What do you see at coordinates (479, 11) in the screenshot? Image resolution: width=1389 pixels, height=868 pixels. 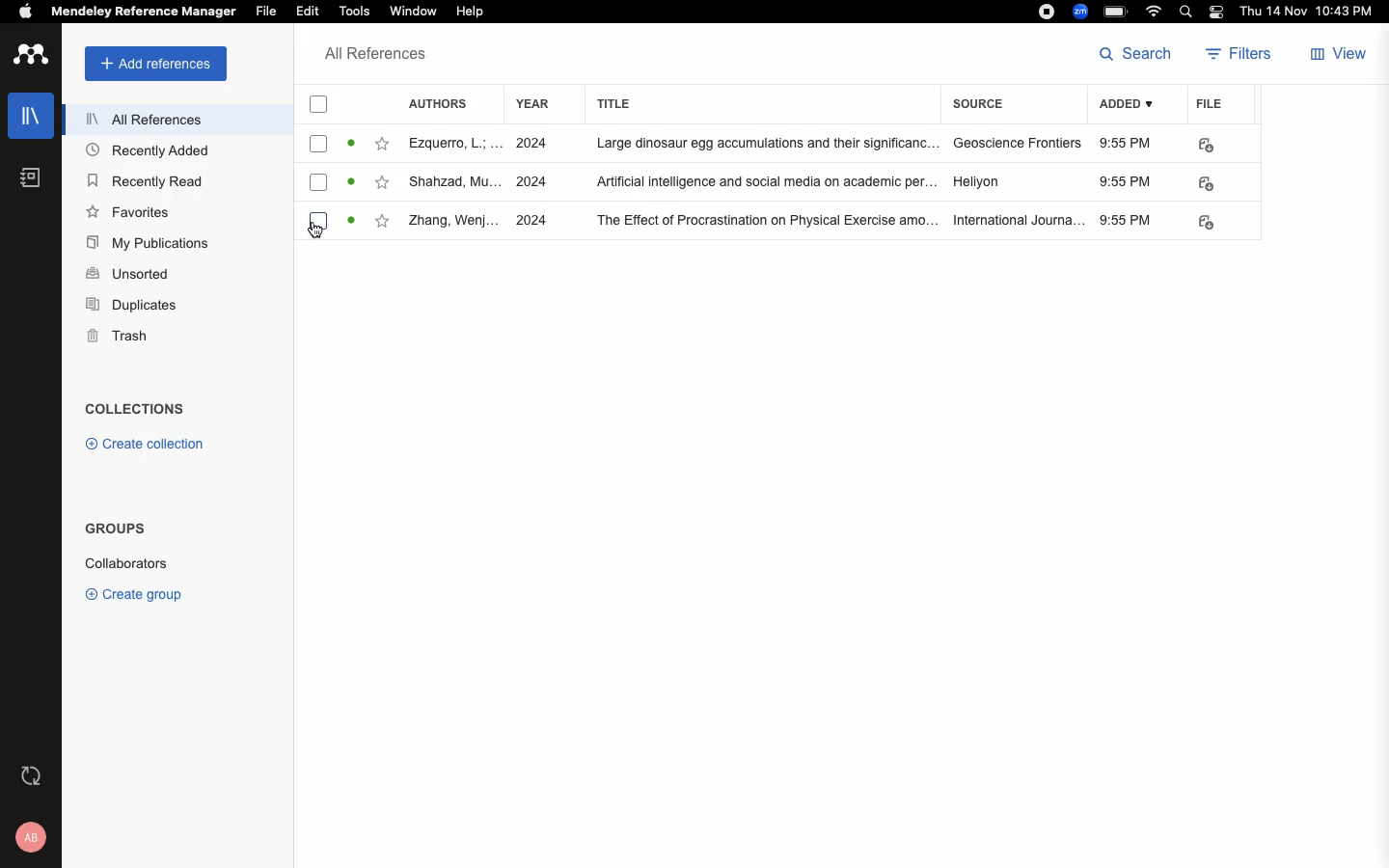 I see `Help` at bounding box center [479, 11].